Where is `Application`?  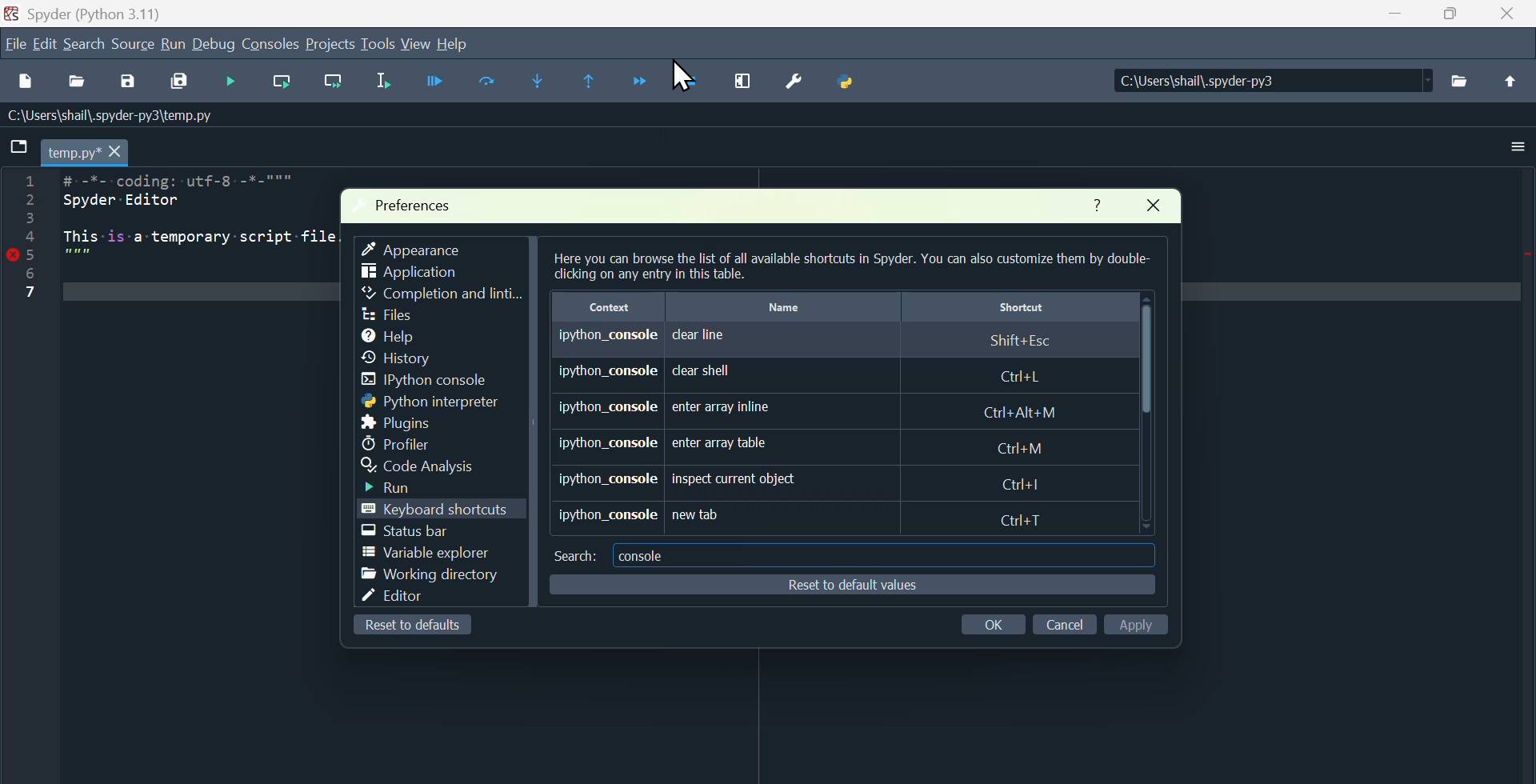 Application is located at coordinates (418, 274).